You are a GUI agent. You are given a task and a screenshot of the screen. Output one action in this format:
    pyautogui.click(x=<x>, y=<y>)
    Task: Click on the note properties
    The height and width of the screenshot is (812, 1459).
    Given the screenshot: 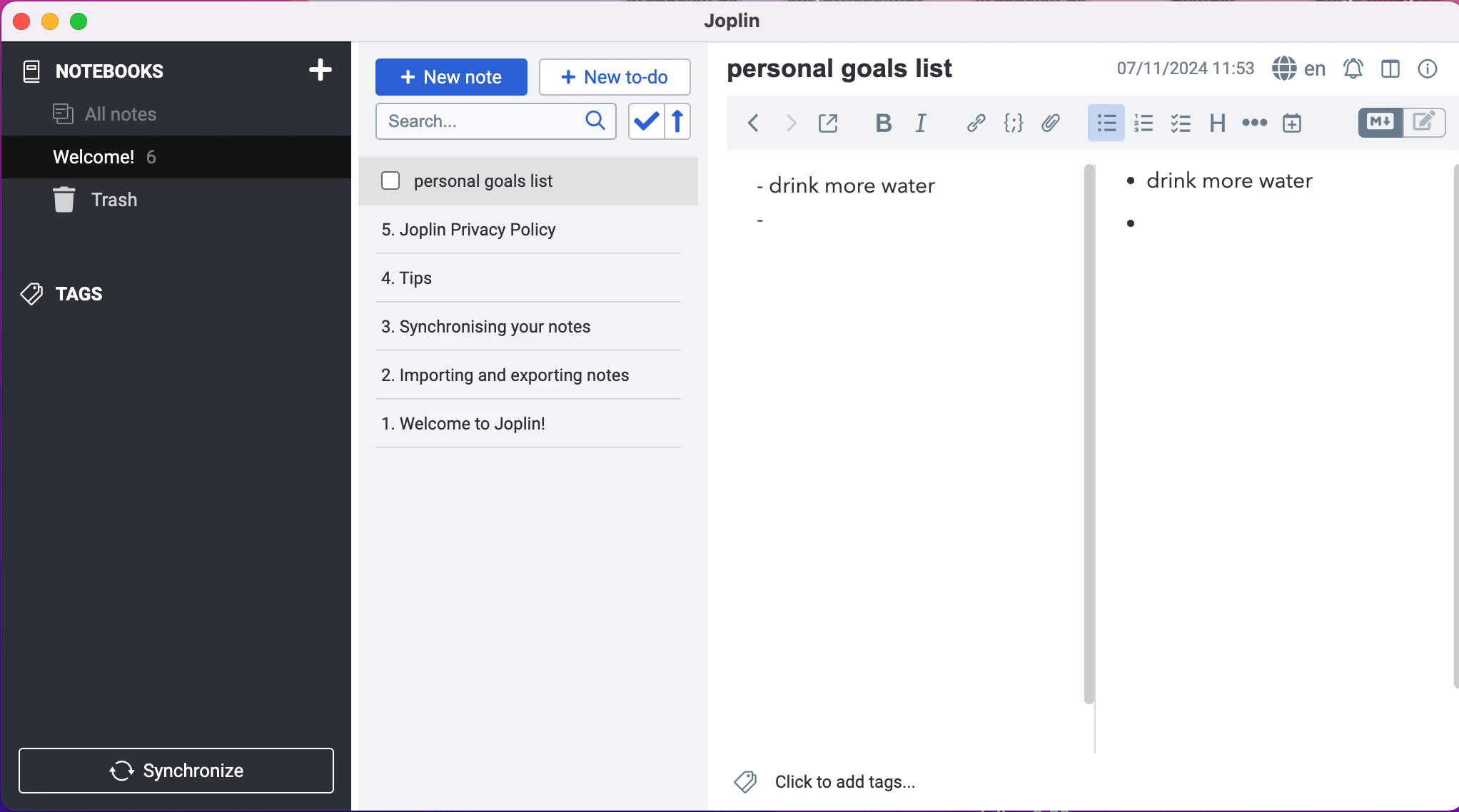 What is the action you would take?
    pyautogui.click(x=1428, y=67)
    